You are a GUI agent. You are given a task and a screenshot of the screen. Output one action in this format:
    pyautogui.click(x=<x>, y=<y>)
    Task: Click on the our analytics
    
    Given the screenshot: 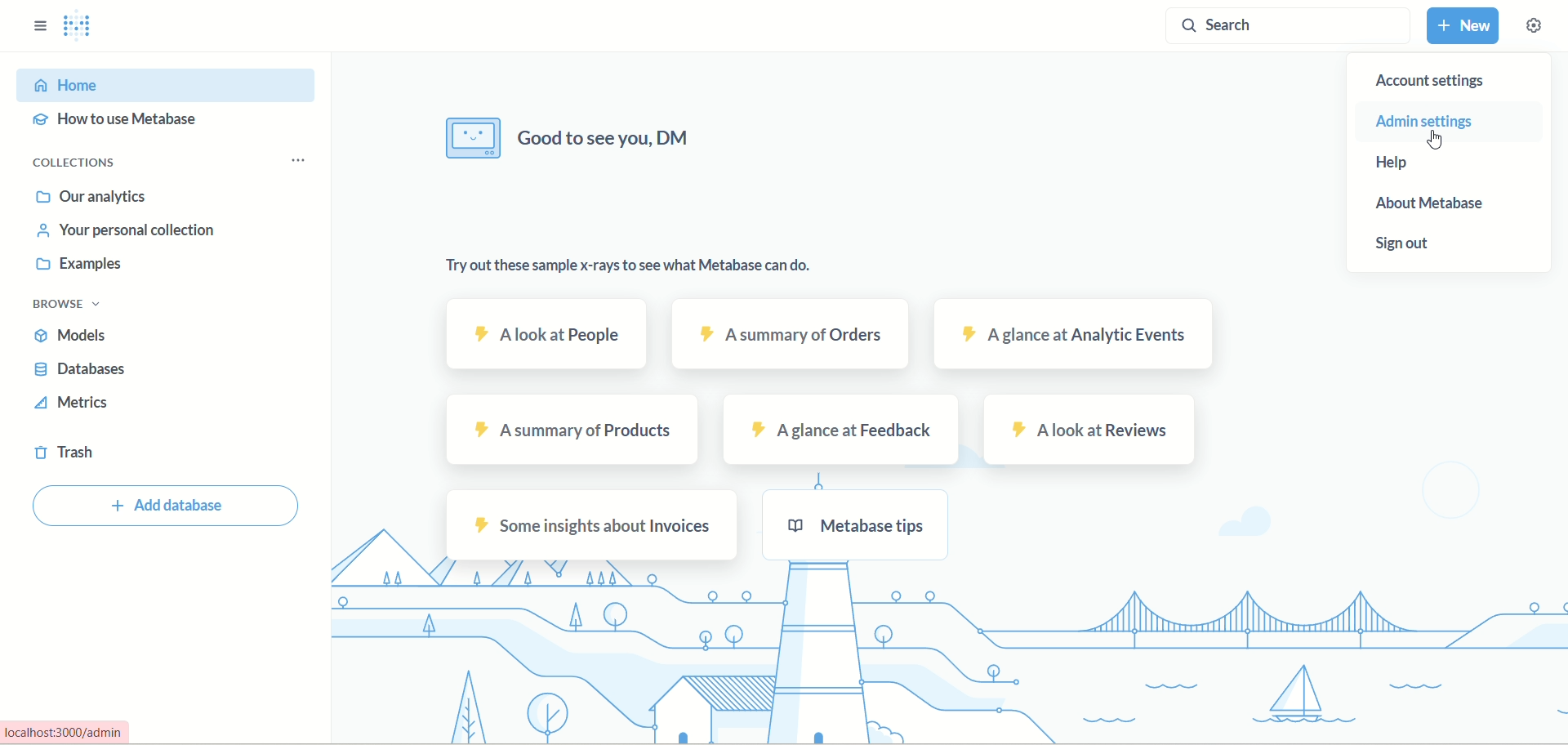 What is the action you would take?
    pyautogui.click(x=92, y=197)
    